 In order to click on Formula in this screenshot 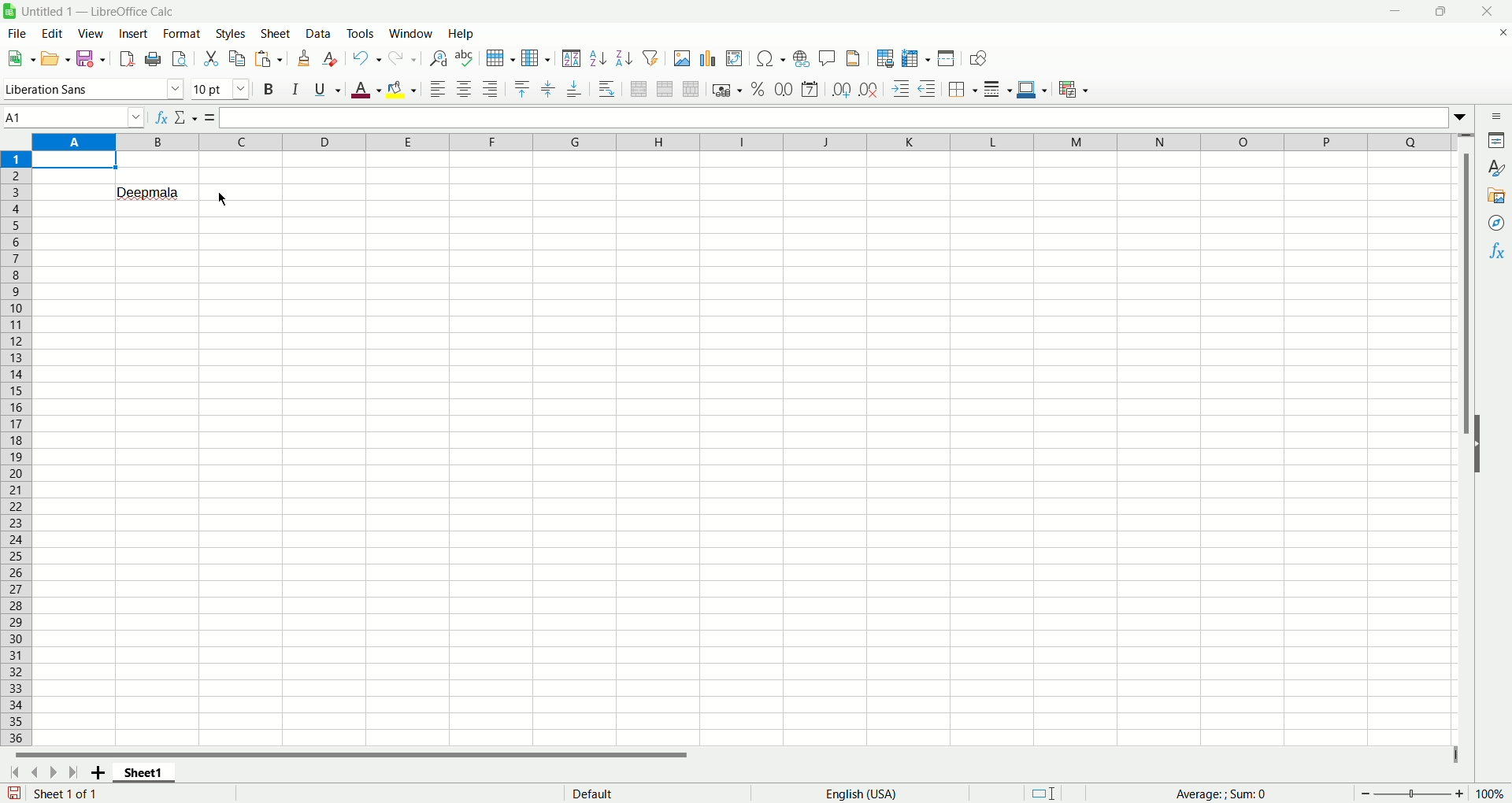, I will do `click(1221, 794)`.